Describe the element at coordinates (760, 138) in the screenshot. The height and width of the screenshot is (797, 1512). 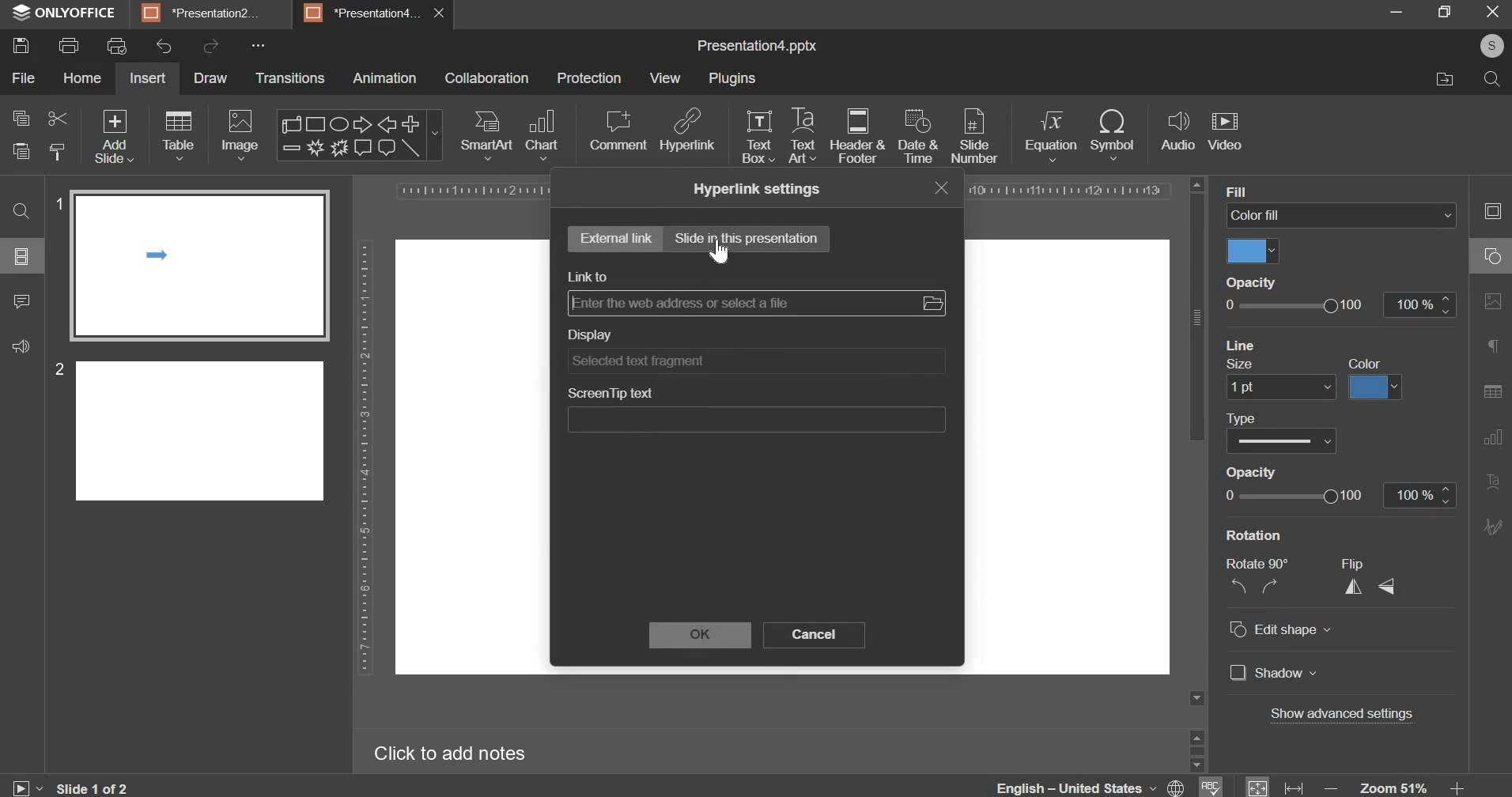
I see `text box` at that location.